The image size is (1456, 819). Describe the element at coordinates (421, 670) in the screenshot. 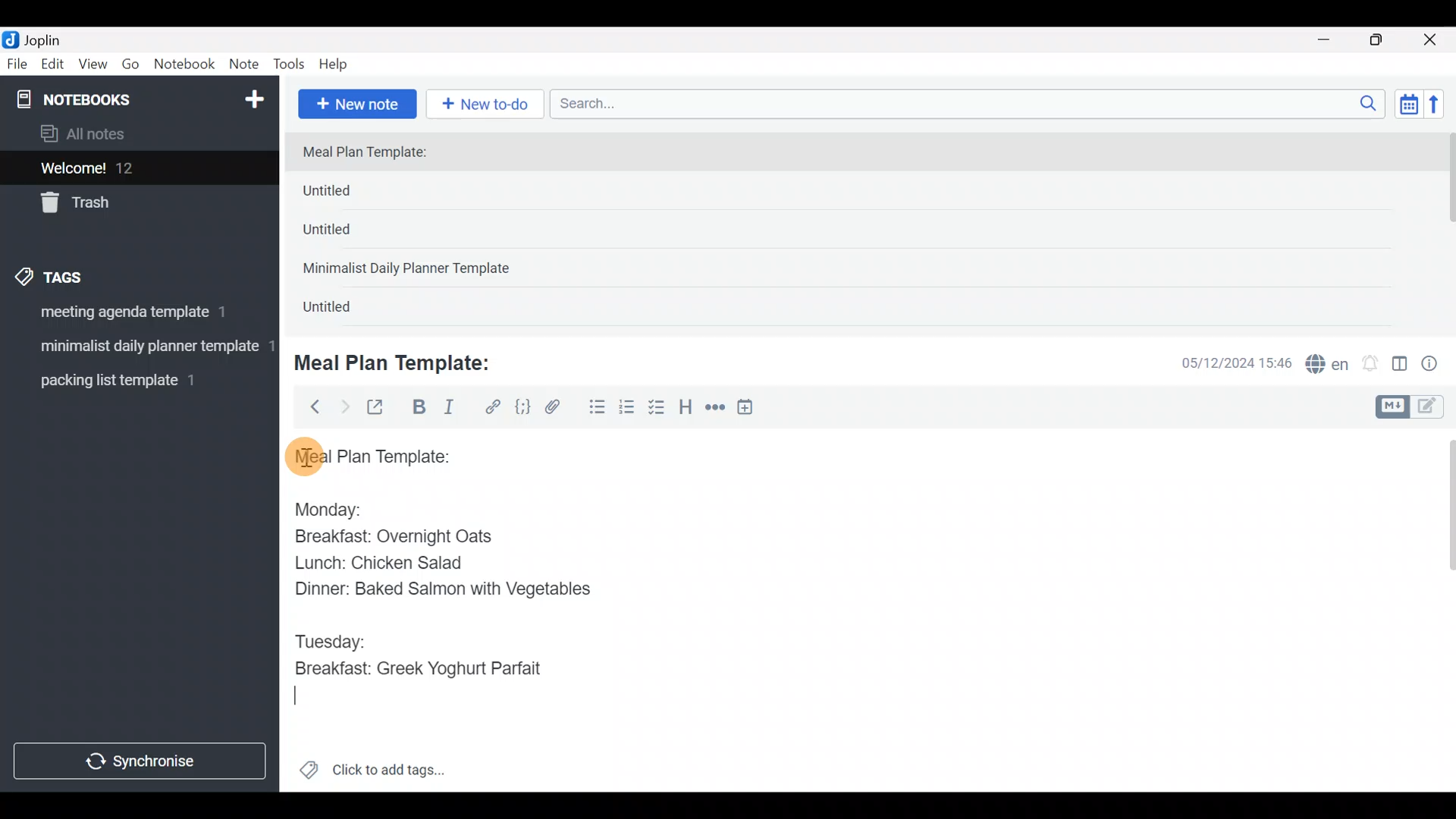

I see `Breakfast: Greek Yoghurt Parfait` at that location.